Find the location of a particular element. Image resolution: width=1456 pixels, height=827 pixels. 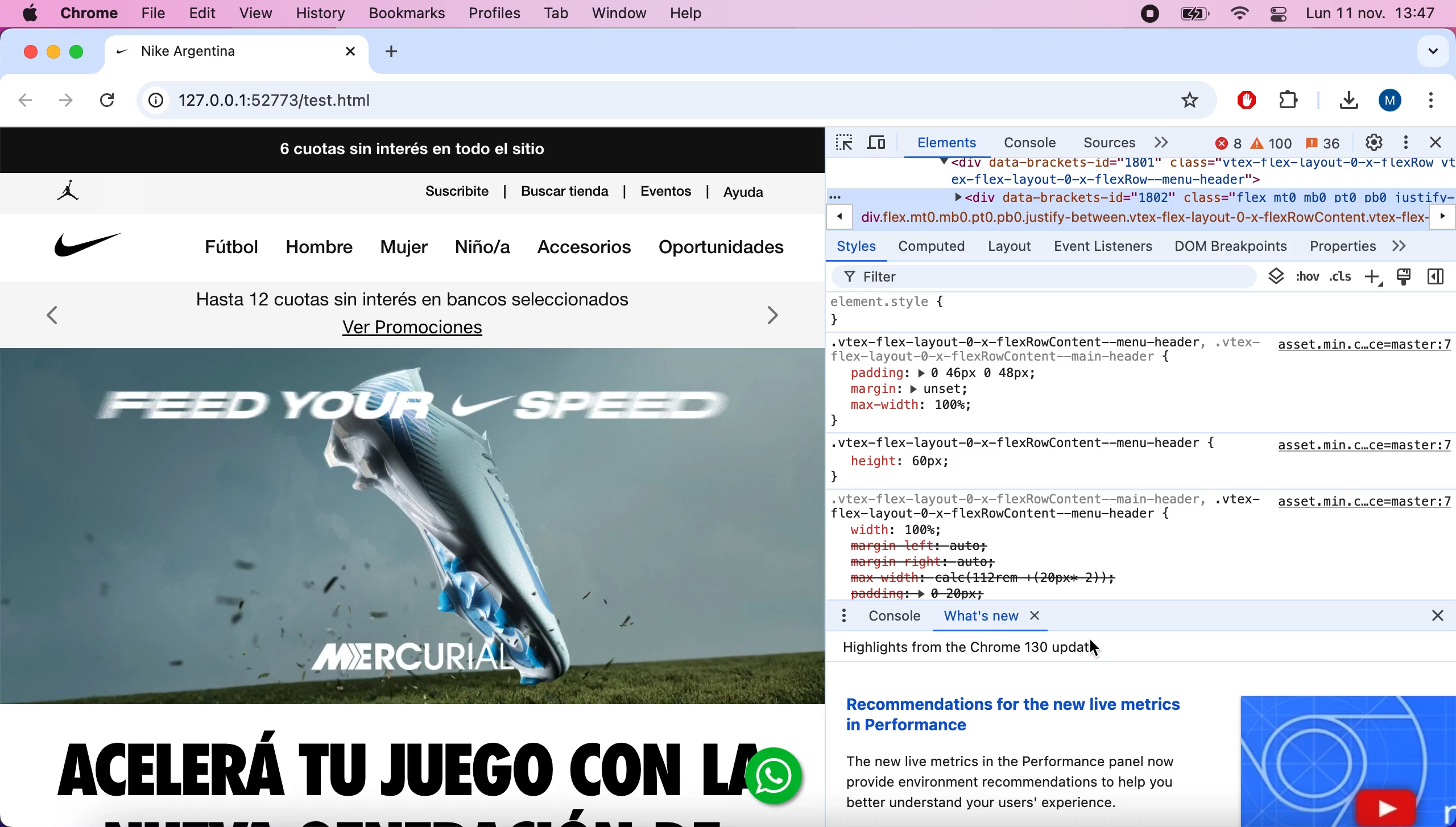

console is located at coordinates (1022, 144).